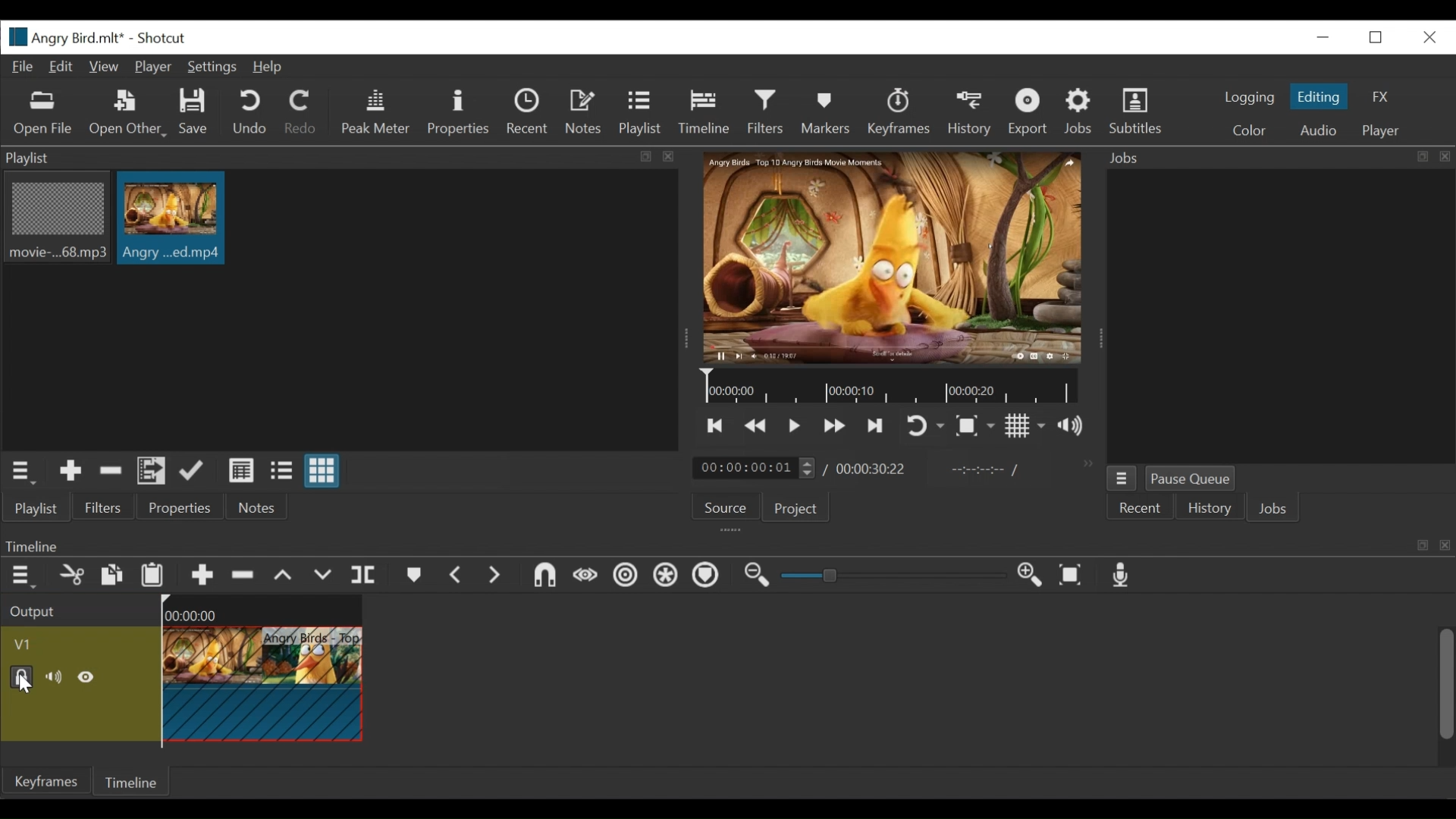 This screenshot has width=1456, height=819. What do you see at coordinates (970, 114) in the screenshot?
I see `History` at bounding box center [970, 114].